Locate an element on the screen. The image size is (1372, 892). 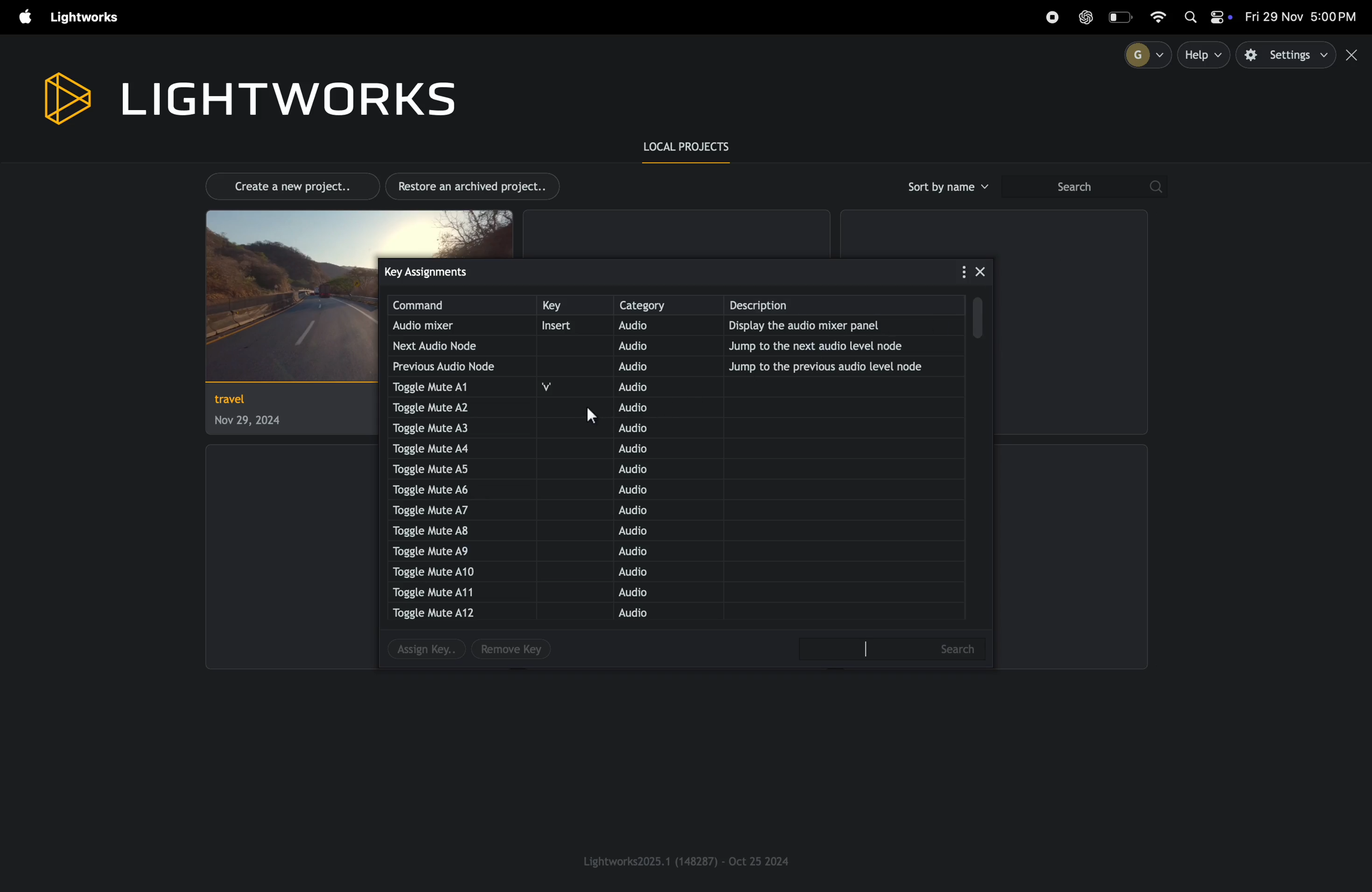
toggle mute A9 is located at coordinates (436, 550).